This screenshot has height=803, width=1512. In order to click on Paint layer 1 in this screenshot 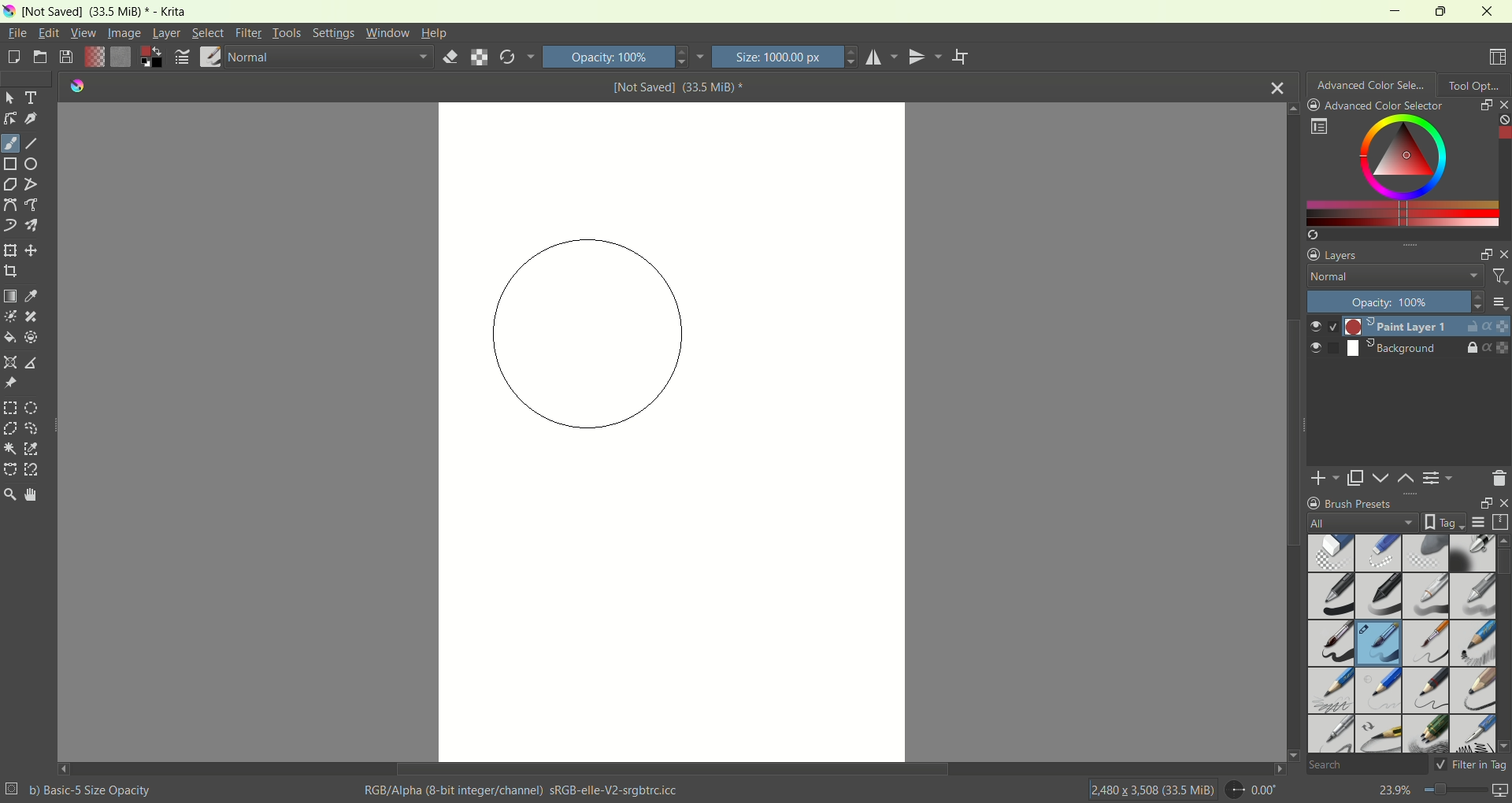, I will do `click(1378, 326)`.